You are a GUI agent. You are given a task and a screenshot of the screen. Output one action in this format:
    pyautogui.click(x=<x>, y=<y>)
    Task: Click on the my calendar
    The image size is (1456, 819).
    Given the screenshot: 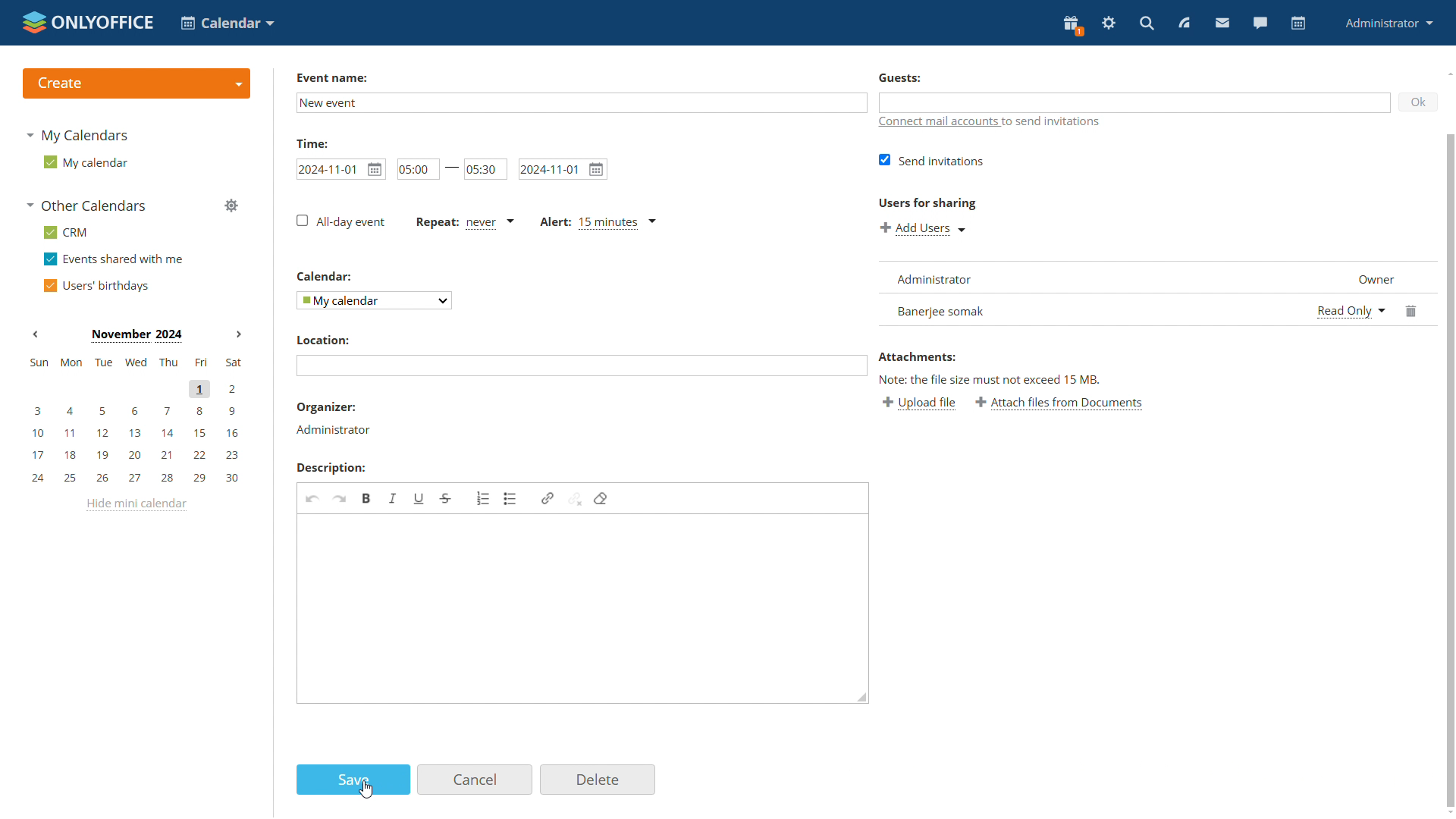 What is the action you would take?
    pyautogui.click(x=88, y=165)
    